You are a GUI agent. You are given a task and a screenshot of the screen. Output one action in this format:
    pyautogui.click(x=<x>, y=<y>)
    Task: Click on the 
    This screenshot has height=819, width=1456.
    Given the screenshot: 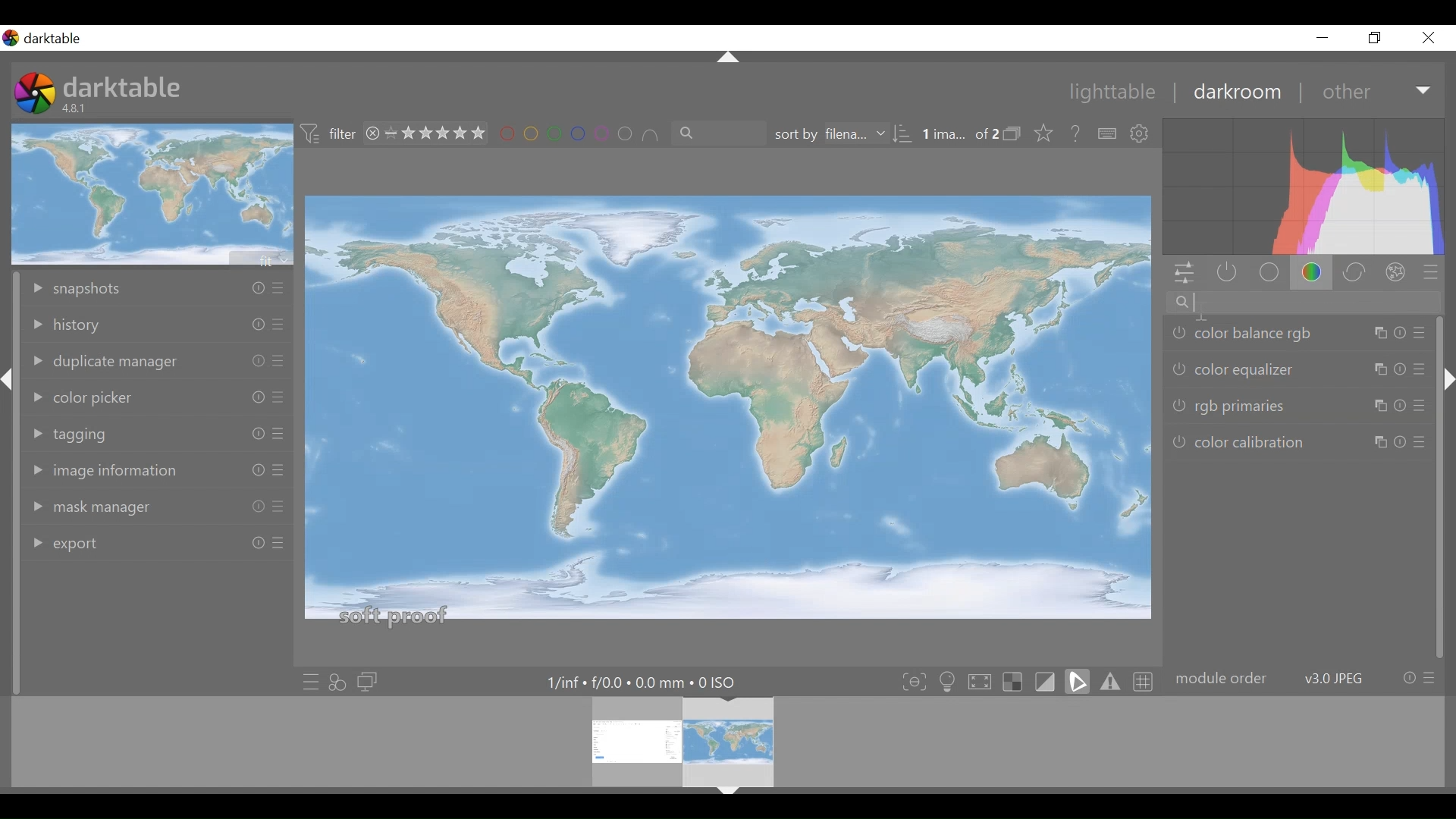 What is the action you would take?
    pyautogui.click(x=1423, y=444)
    